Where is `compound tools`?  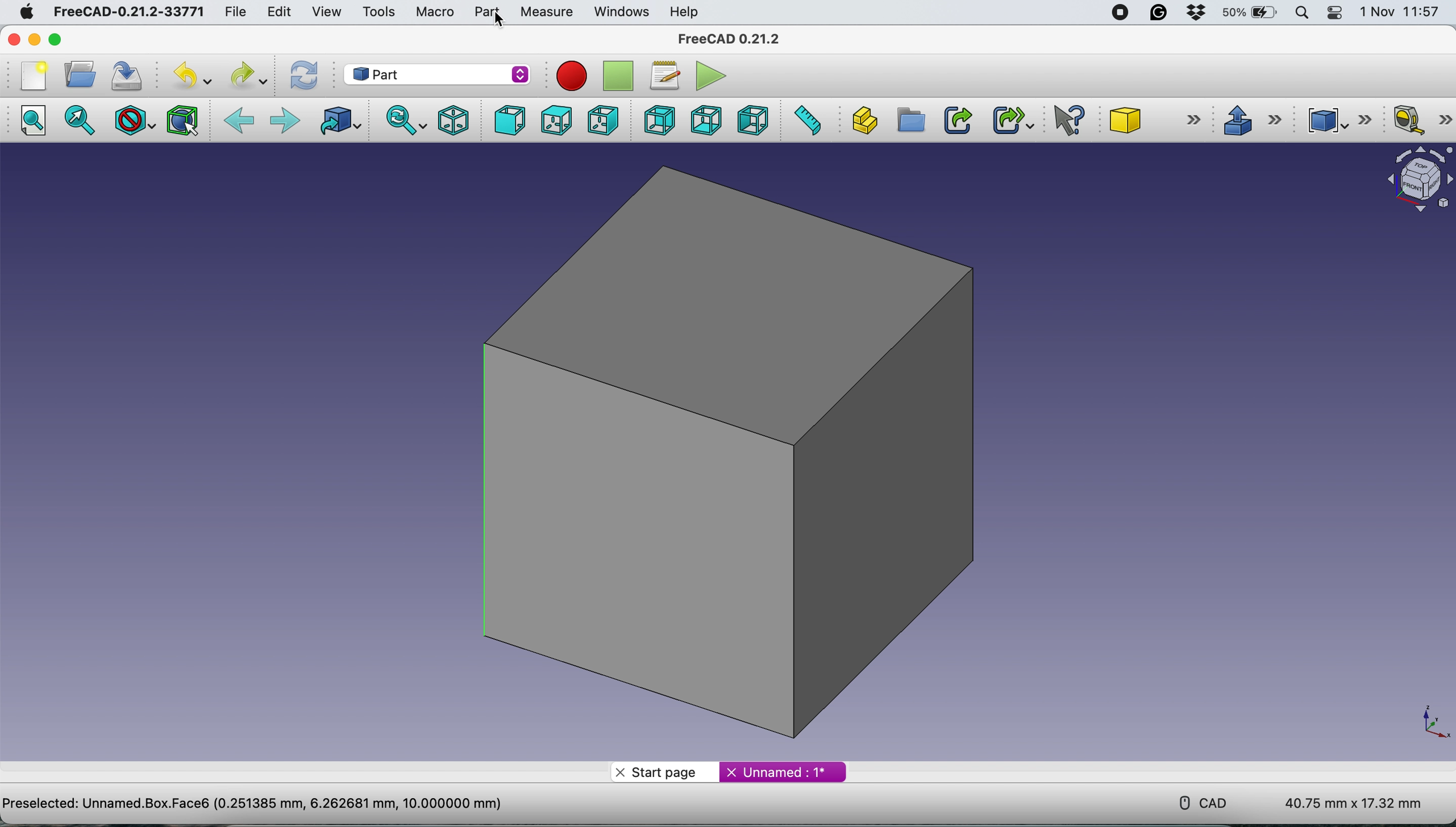
compound tools is located at coordinates (1342, 120).